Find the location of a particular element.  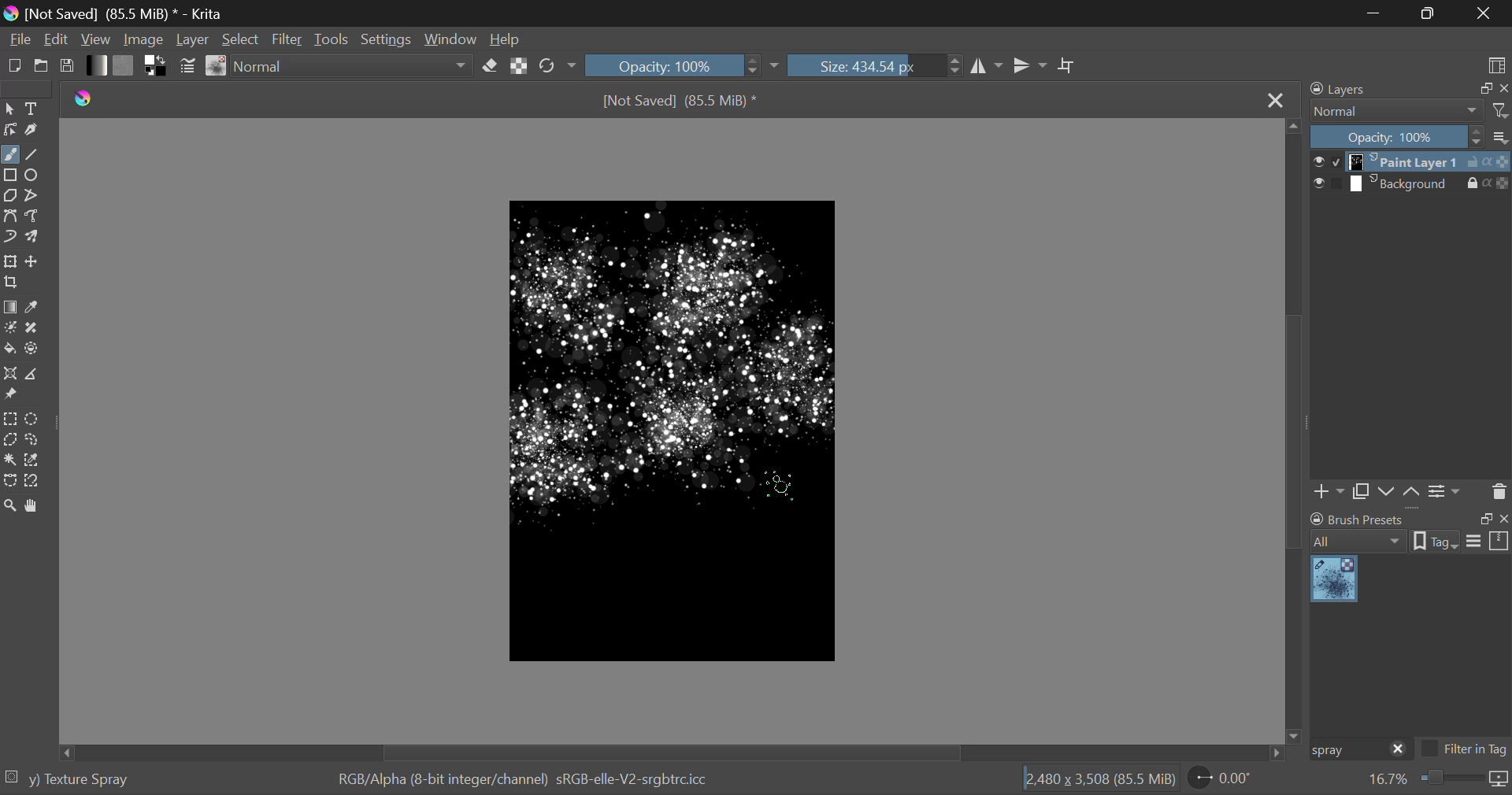

Filter in Tag is located at coordinates (1465, 751).